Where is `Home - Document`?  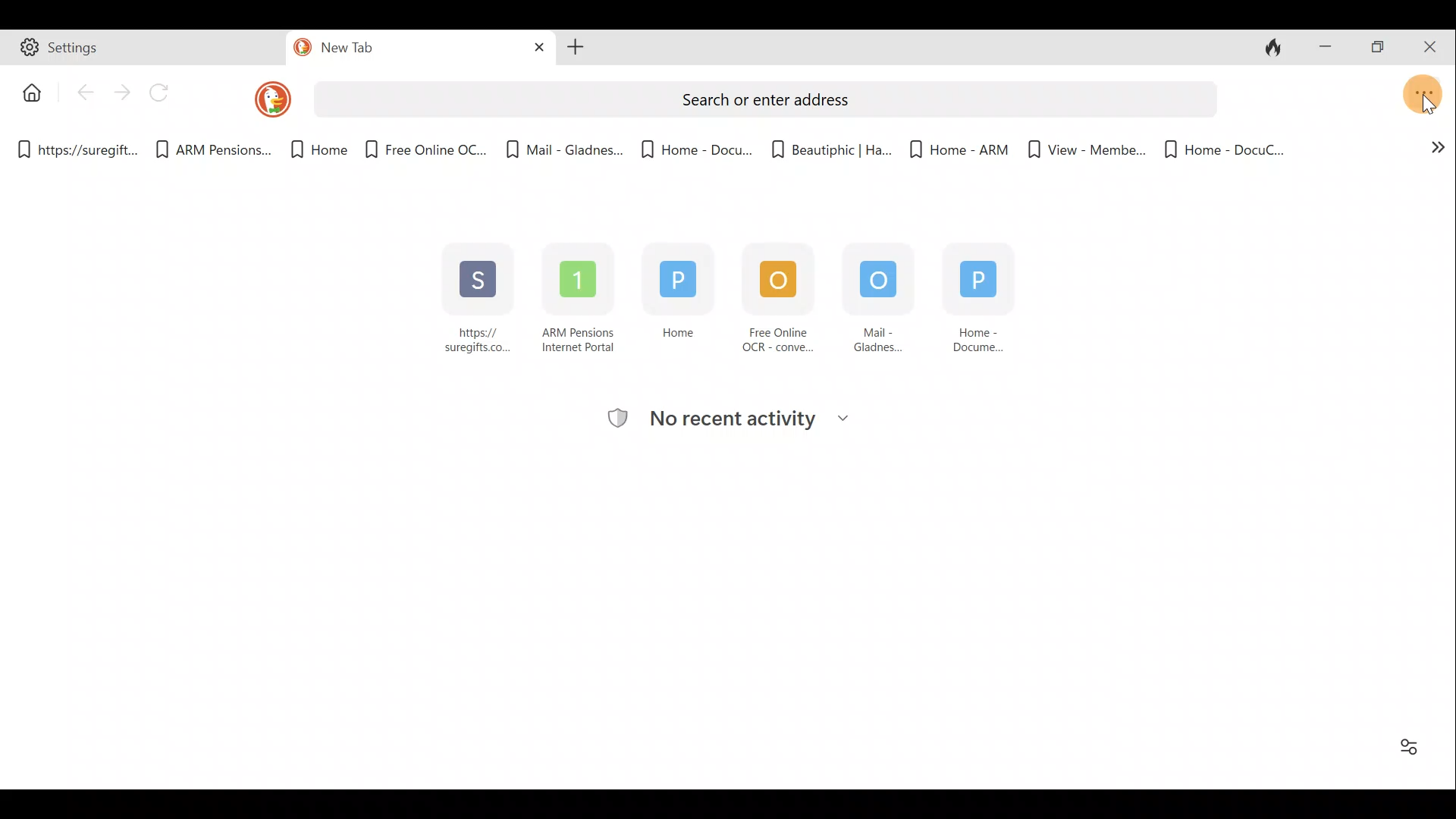 Home - Document is located at coordinates (984, 295).